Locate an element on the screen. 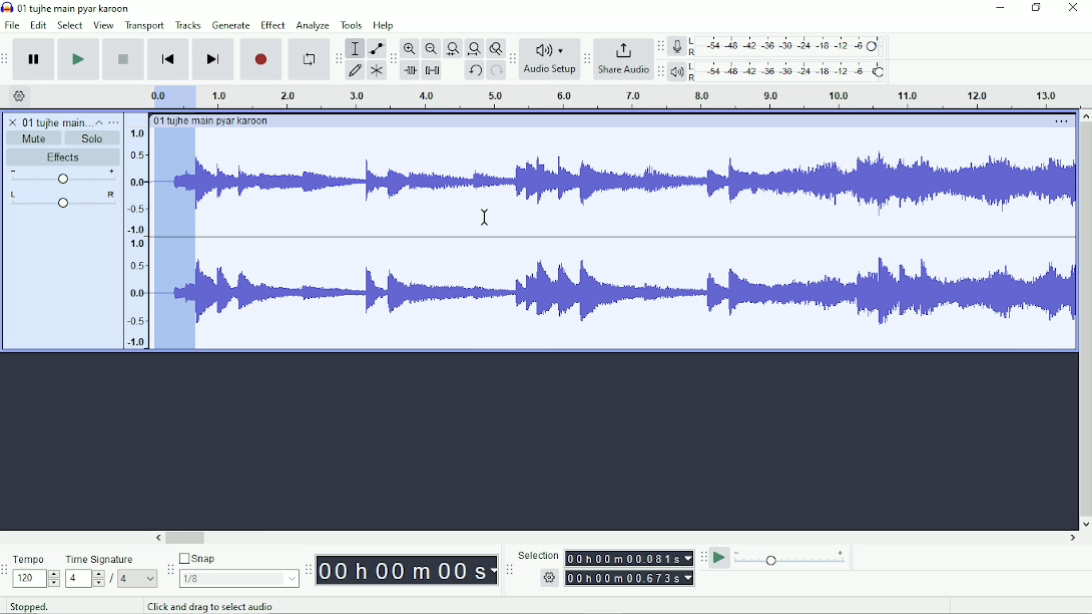 The image size is (1092, 614). Mute is located at coordinates (35, 138).